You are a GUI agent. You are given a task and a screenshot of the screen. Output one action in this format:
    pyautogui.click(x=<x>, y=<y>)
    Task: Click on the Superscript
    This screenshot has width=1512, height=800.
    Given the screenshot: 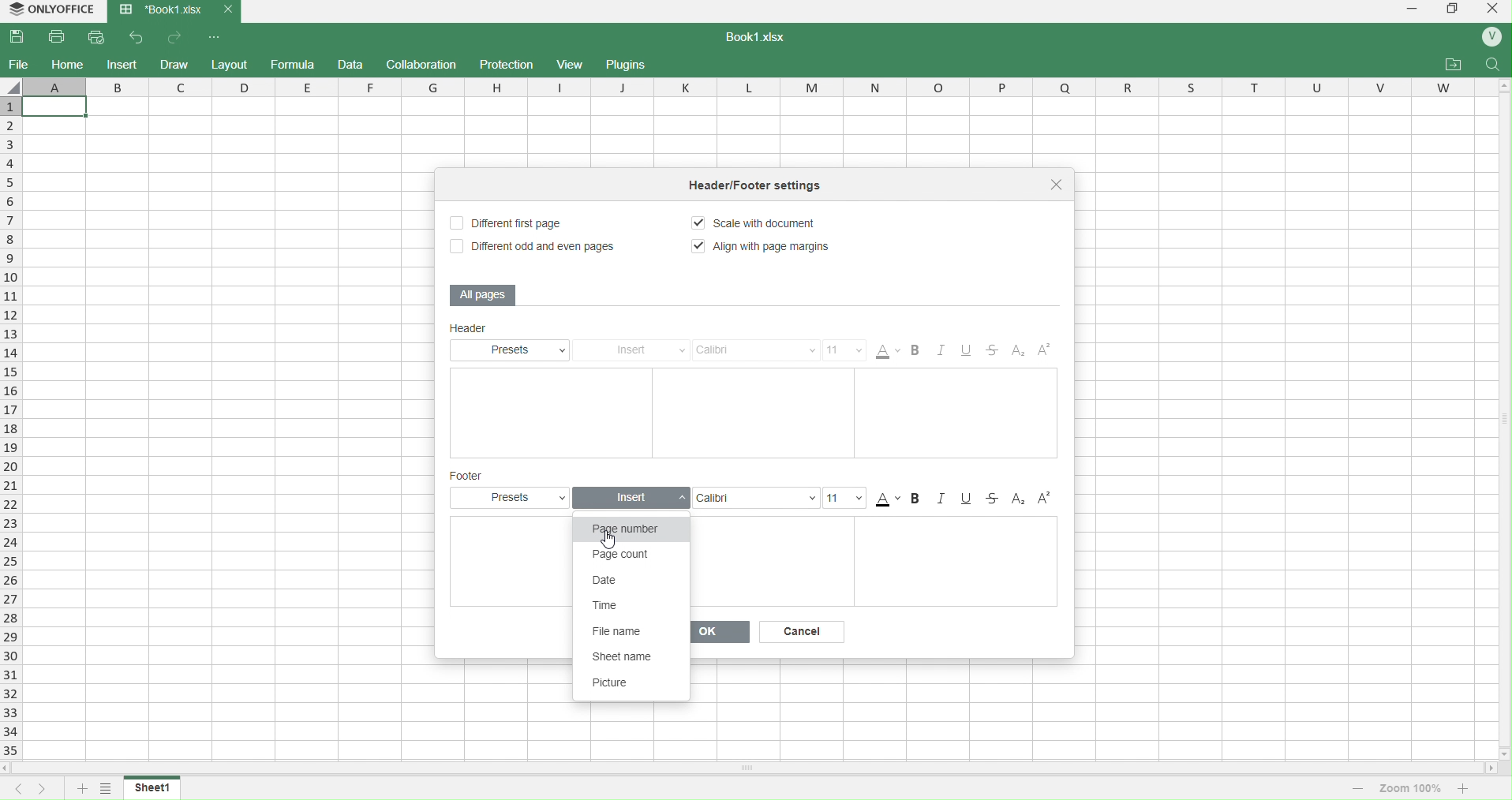 What is the action you would take?
    pyautogui.click(x=1045, y=353)
    